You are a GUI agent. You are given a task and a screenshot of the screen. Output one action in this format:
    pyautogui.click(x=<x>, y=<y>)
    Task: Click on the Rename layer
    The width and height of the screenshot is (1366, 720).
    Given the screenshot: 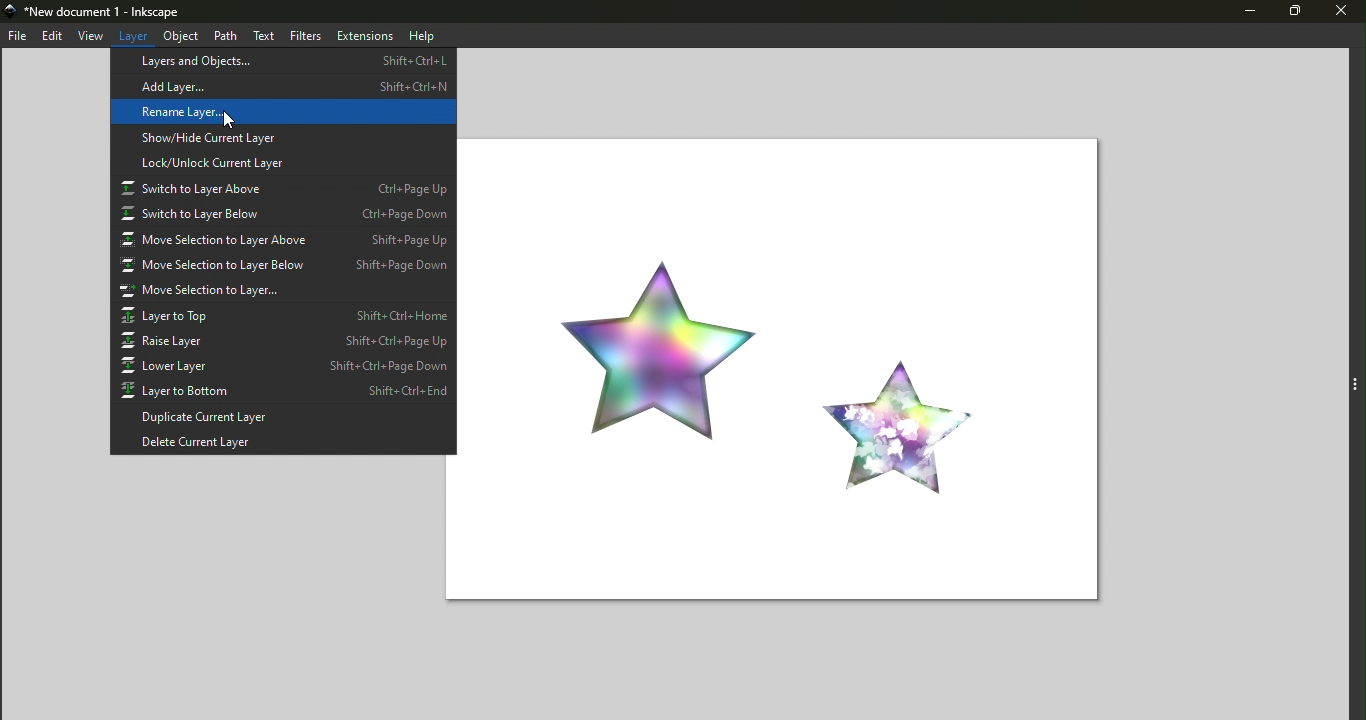 What is the action you would take?
    pyautogui.click(x=283, y=111)
    